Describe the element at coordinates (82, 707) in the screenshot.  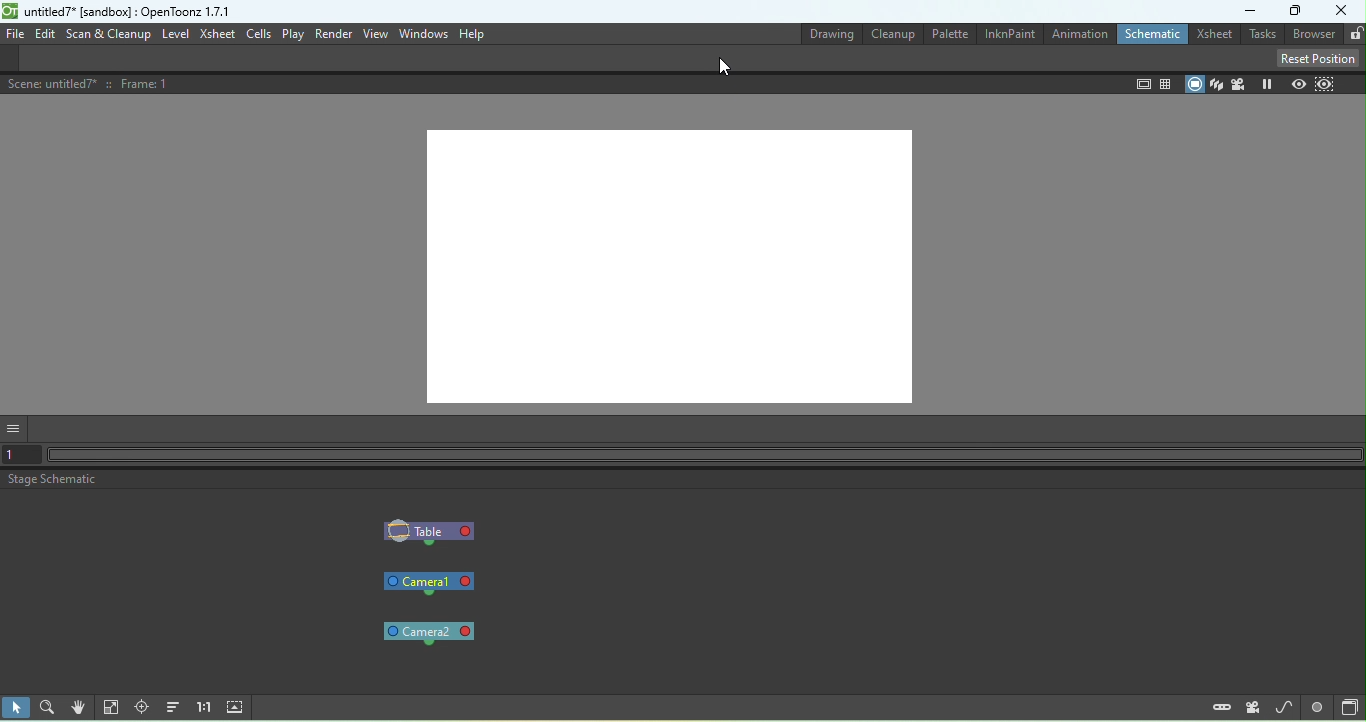
I see `Hand mode` at that location.